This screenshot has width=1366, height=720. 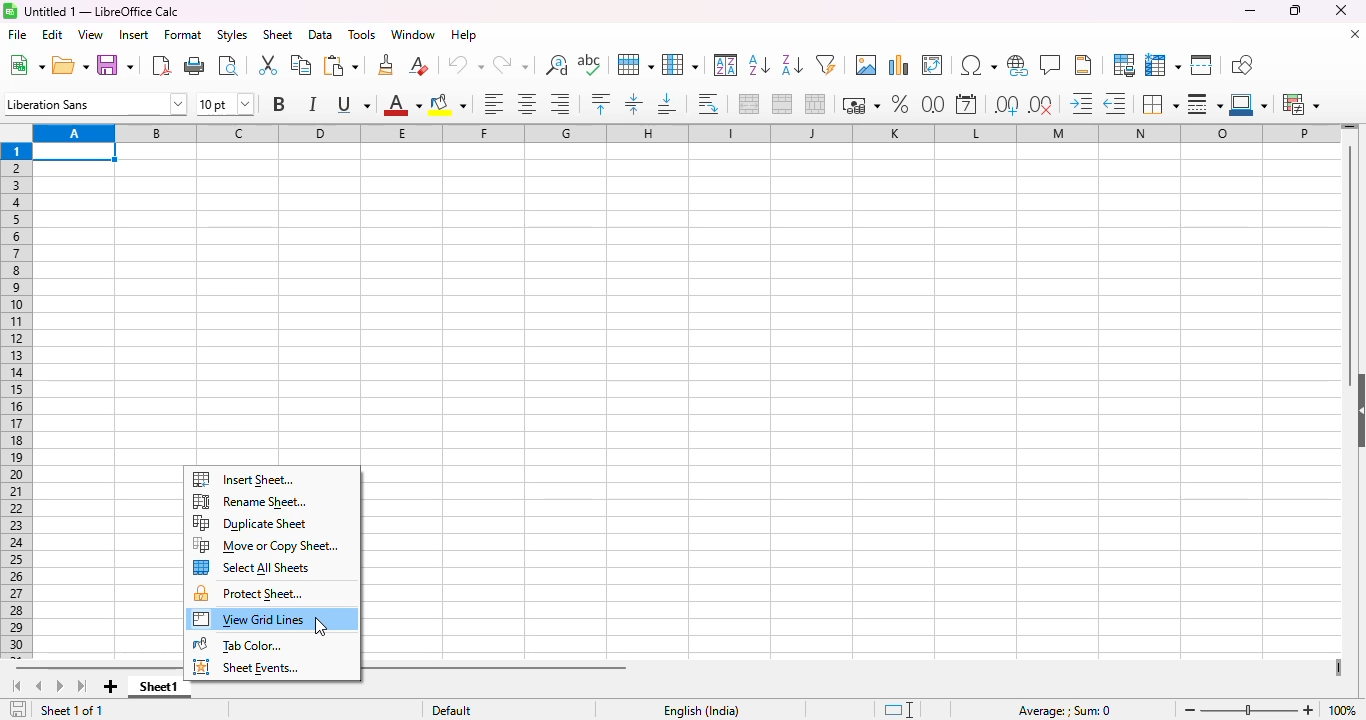 What do you see at coordinates (10, 12) in the screenshot?
I see `logo` at bounding box center [10, 12].